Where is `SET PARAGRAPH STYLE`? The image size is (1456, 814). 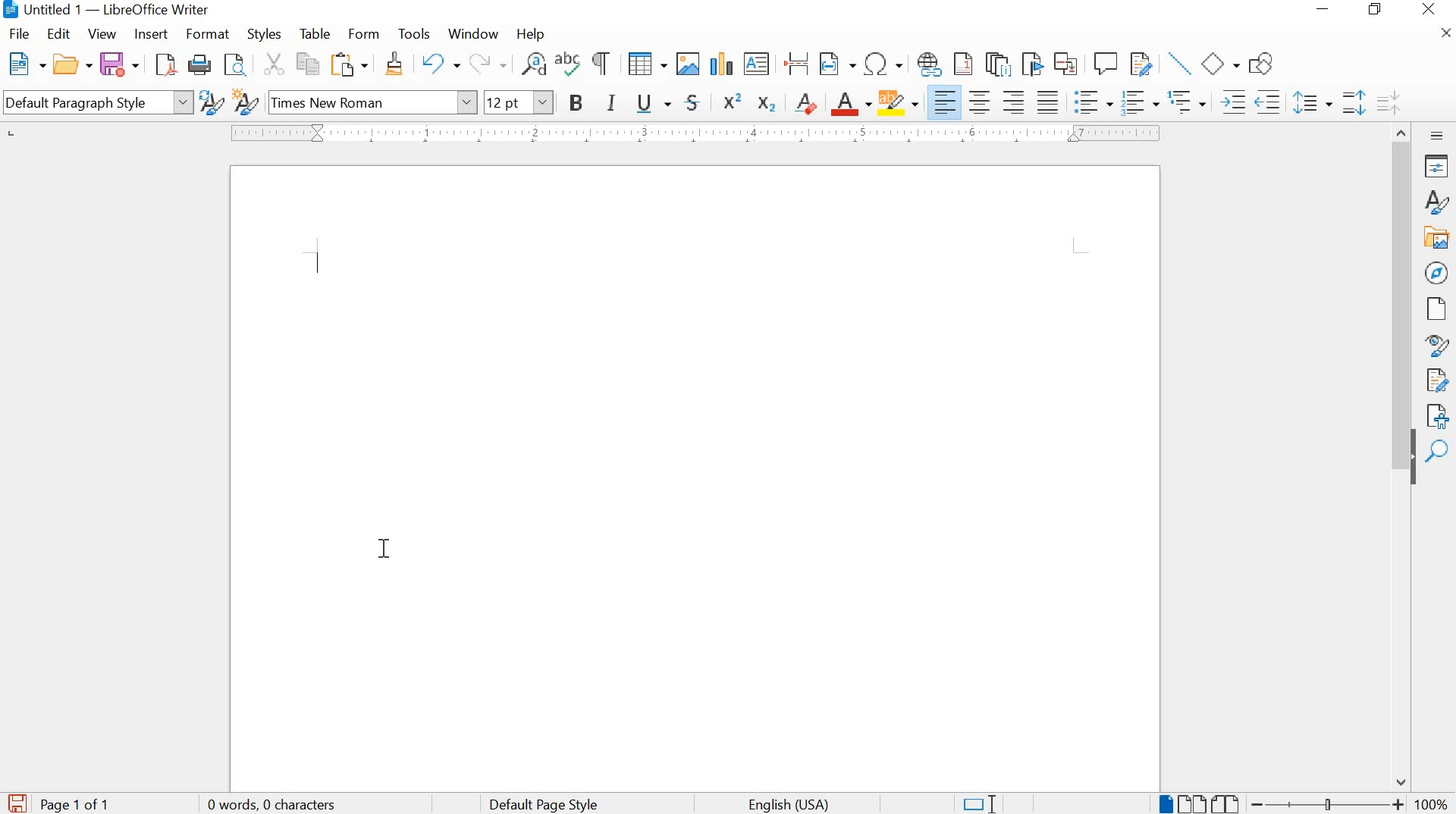 SET PARAGRAPH STYLE is located at coordinates (95, 102).